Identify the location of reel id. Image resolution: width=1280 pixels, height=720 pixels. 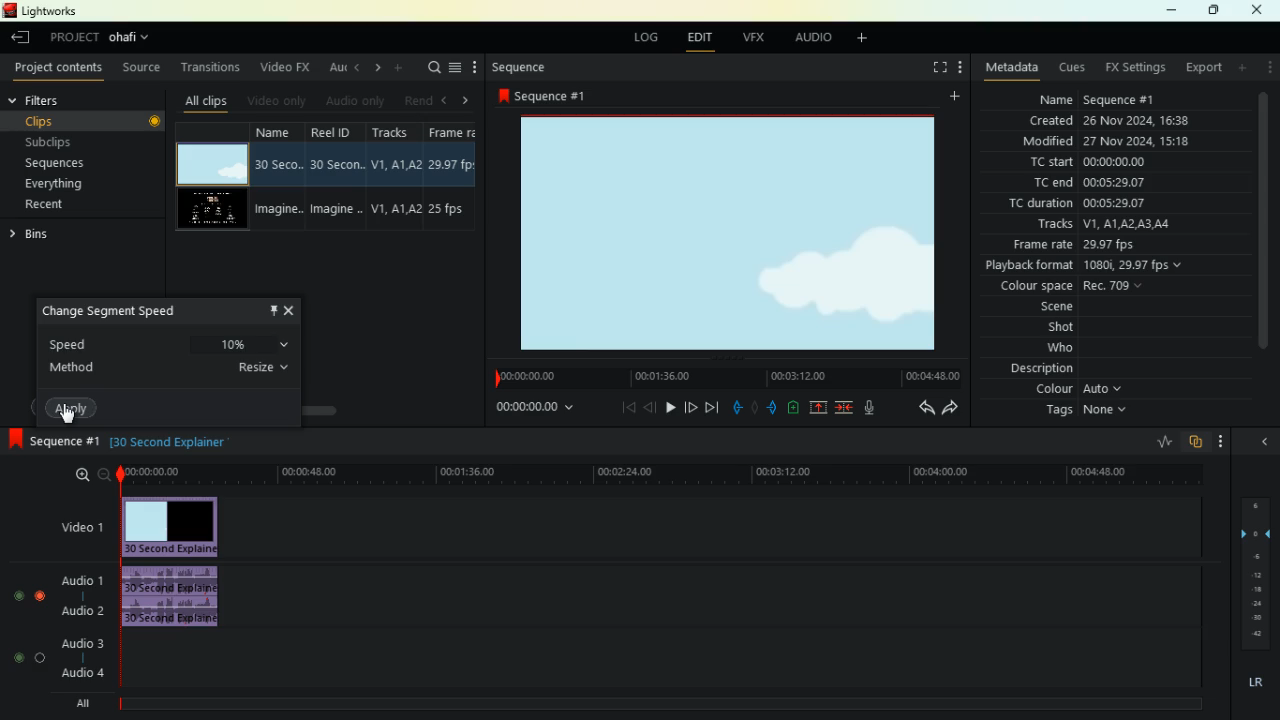
(339, 178).